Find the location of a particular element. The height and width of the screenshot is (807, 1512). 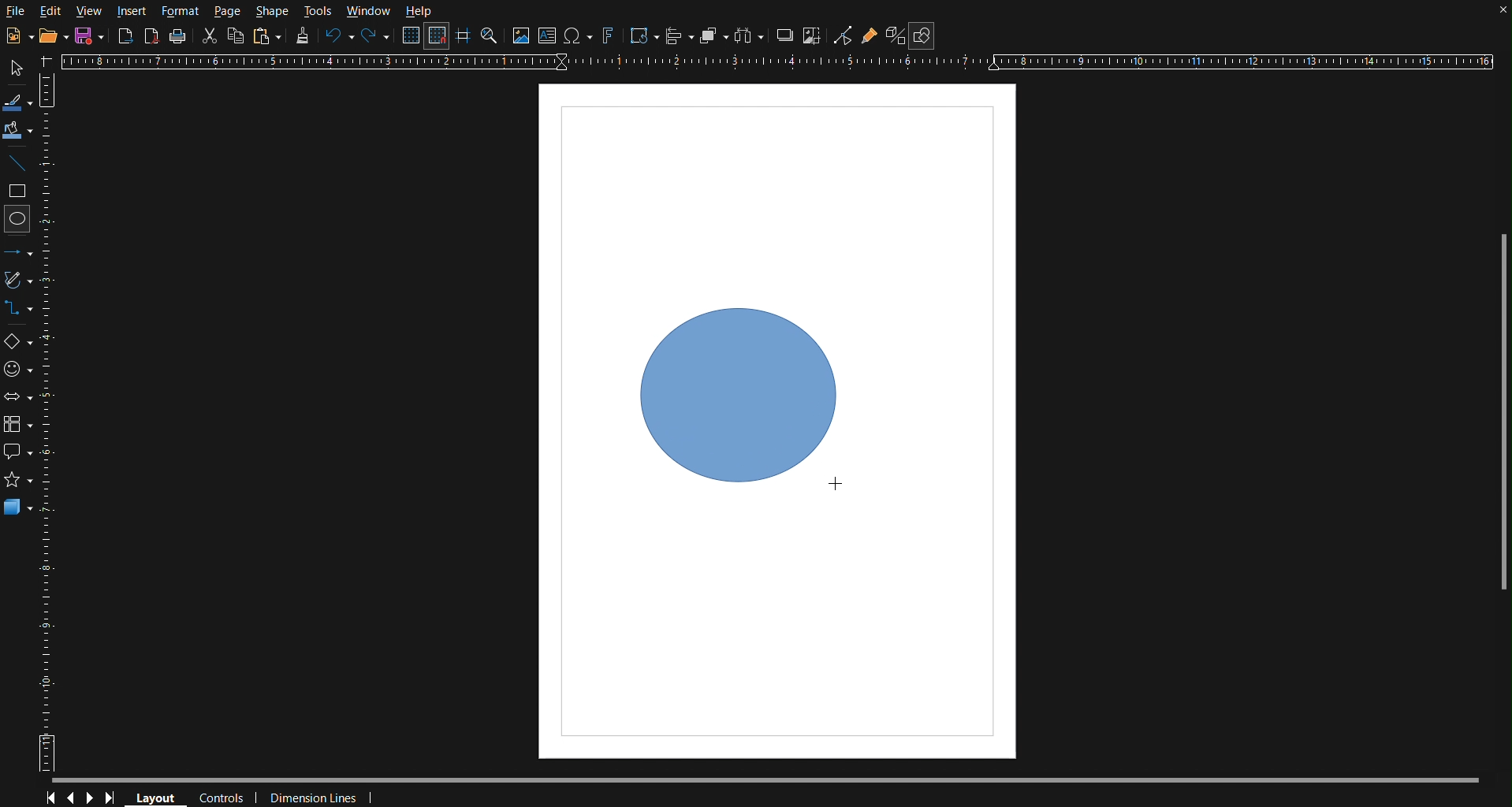

Callout Shapes is located at coordinates (18, 449).